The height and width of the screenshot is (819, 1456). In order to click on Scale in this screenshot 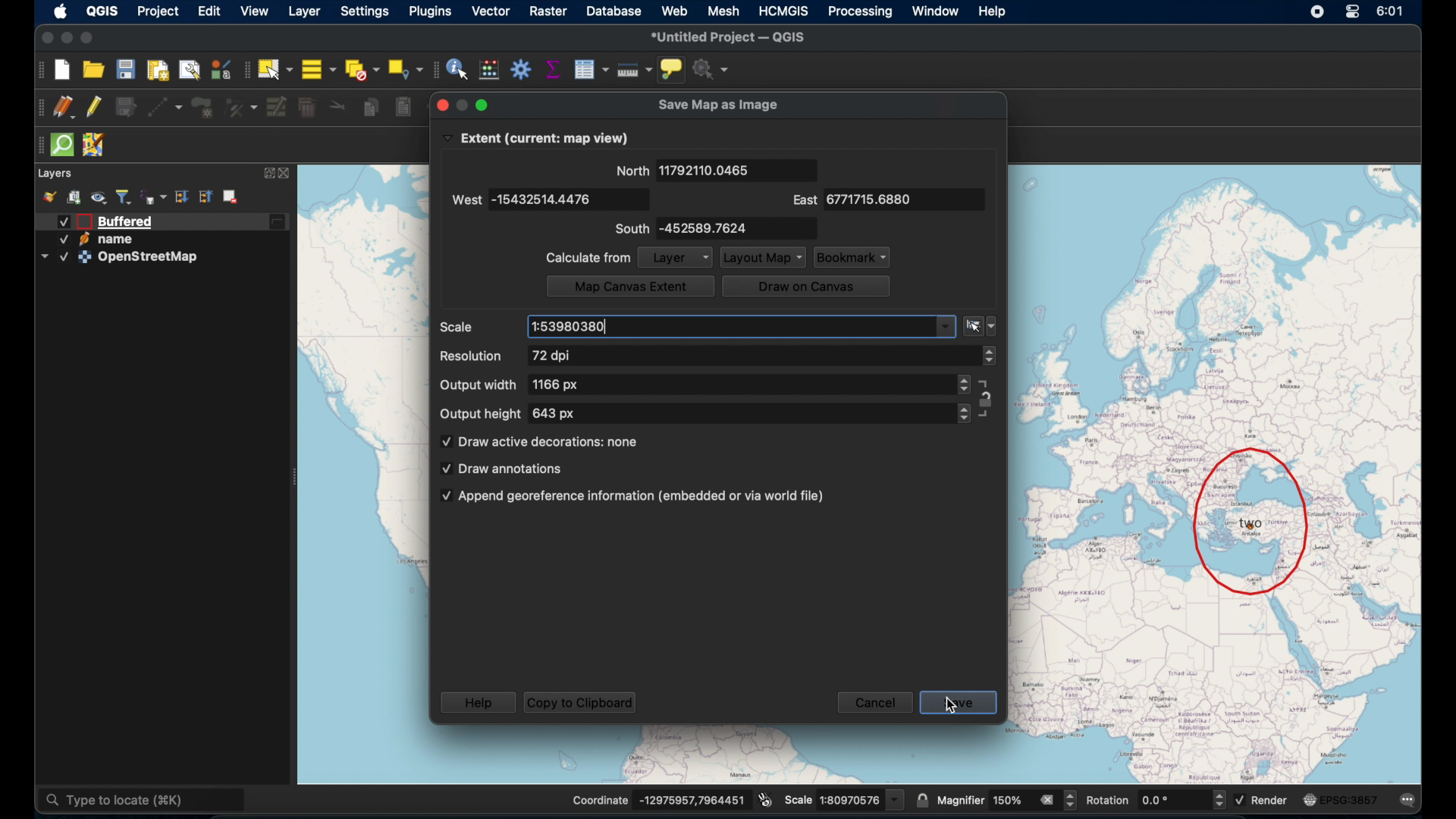, I will do `click(799, 800)`.